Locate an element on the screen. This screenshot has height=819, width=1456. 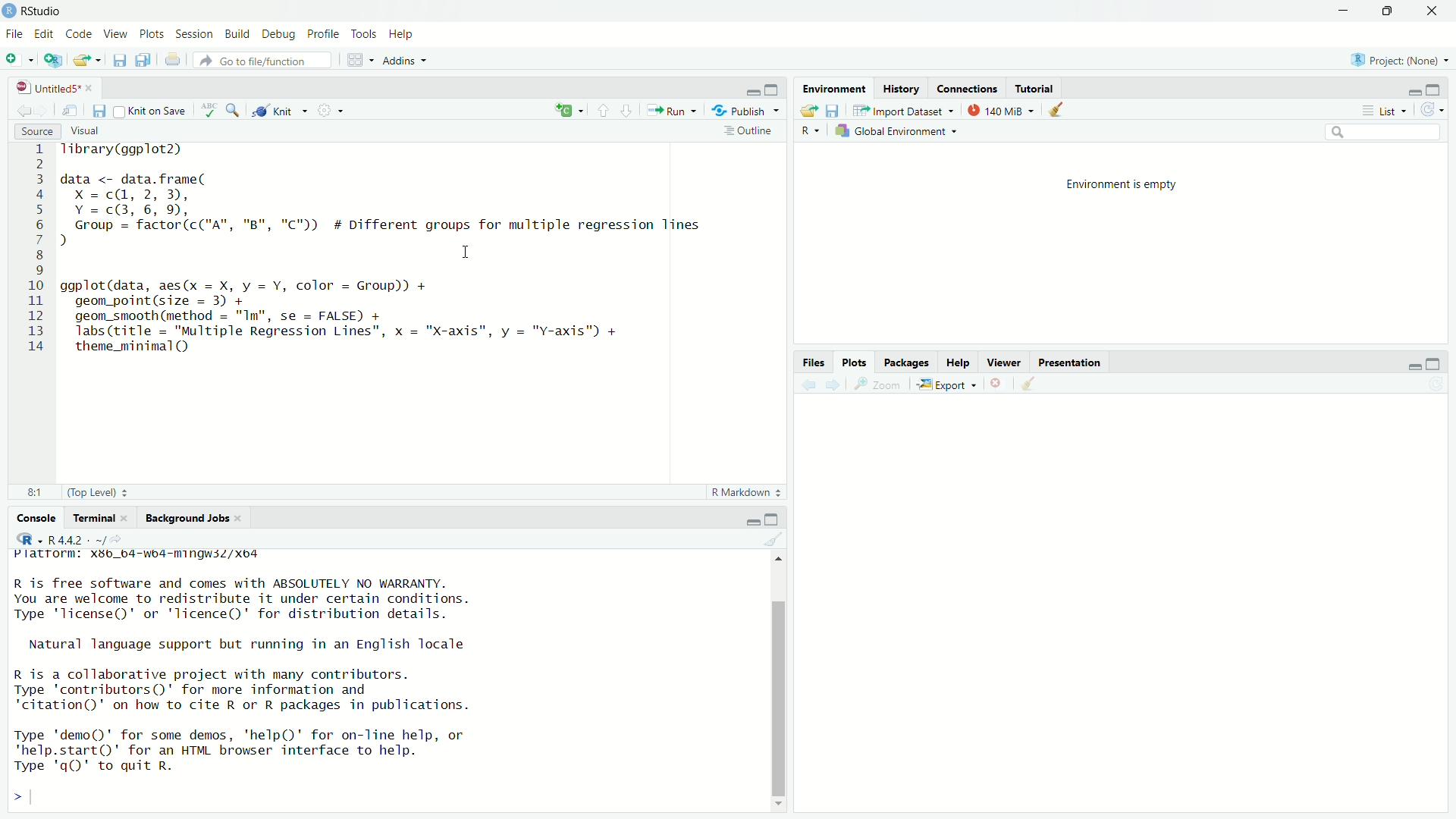
add is located at coordinates (570, 109).